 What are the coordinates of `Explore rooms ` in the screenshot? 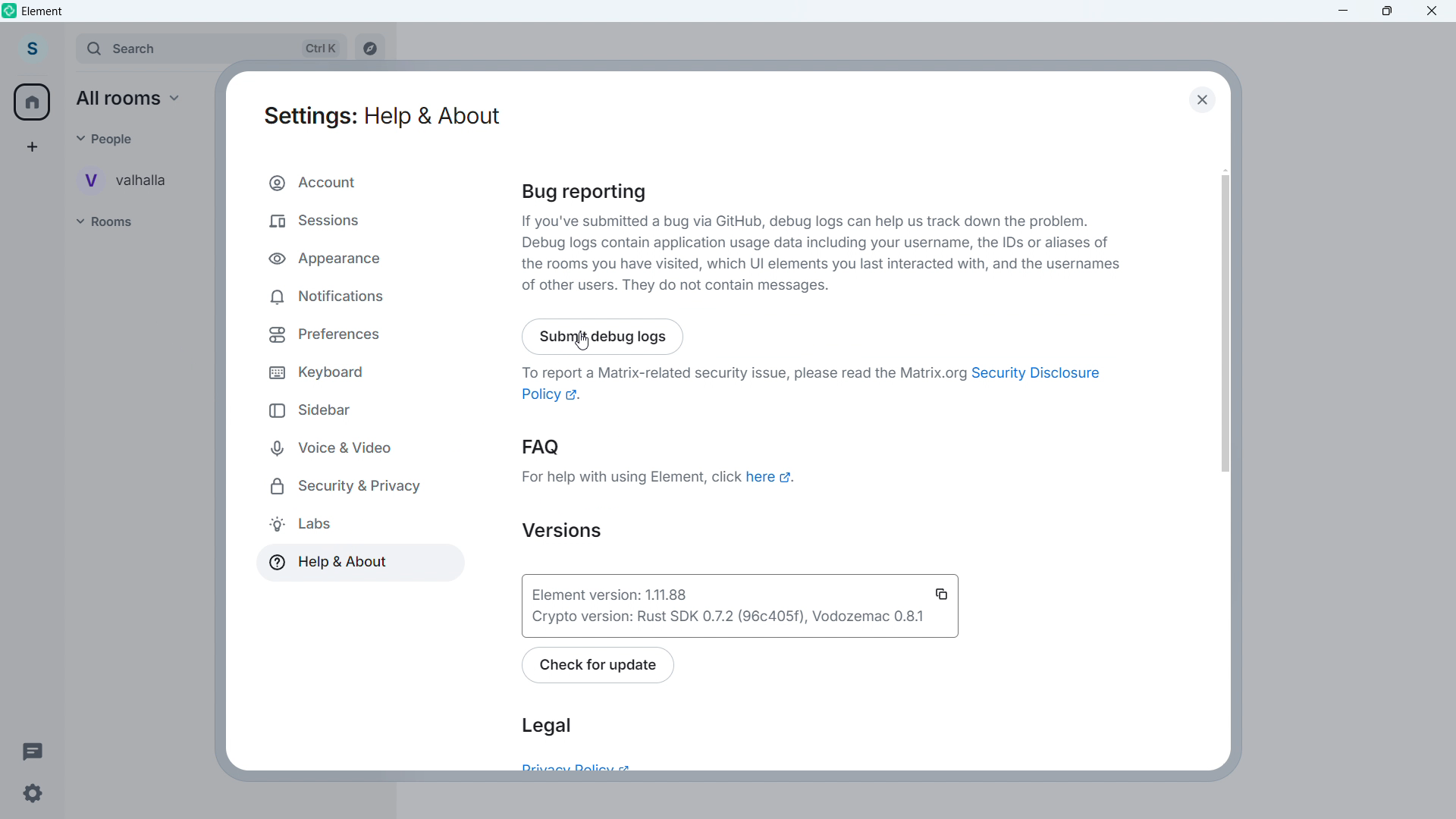 It's located at (369, 50).